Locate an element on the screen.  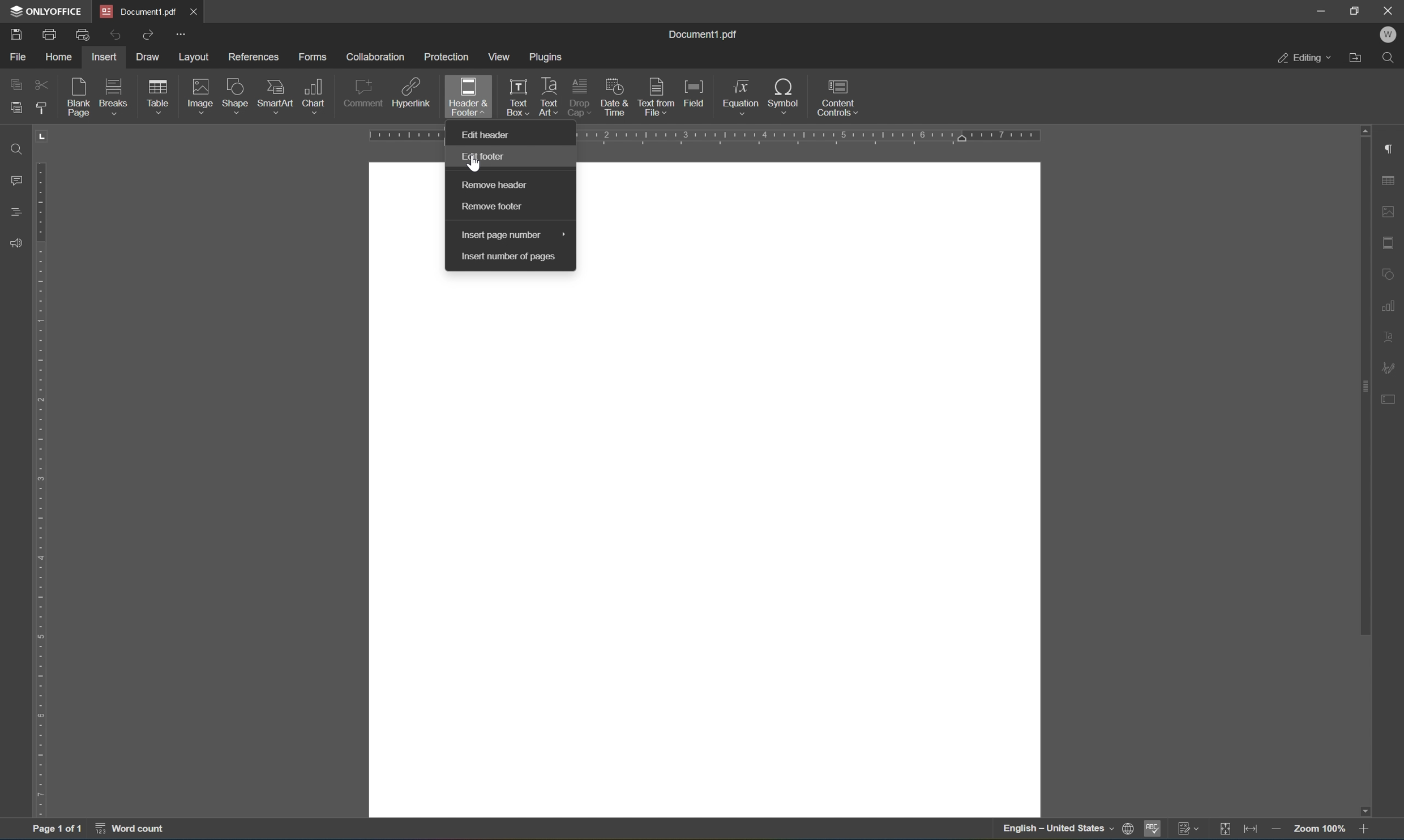
draw is located at coordinates (153, 57).